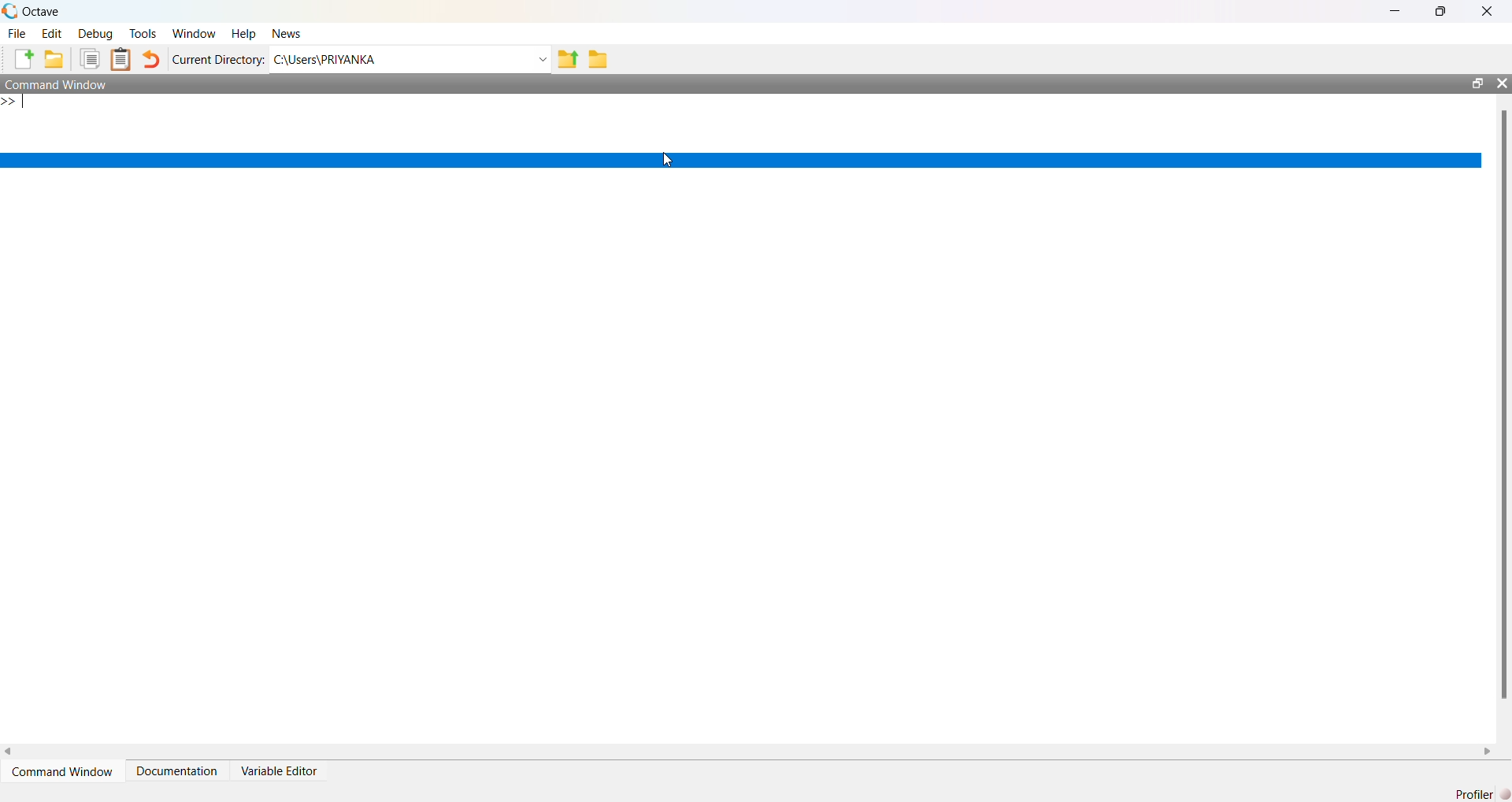 The image size is (1512, 802). I want to click on Profiler, so click(1482, 794).